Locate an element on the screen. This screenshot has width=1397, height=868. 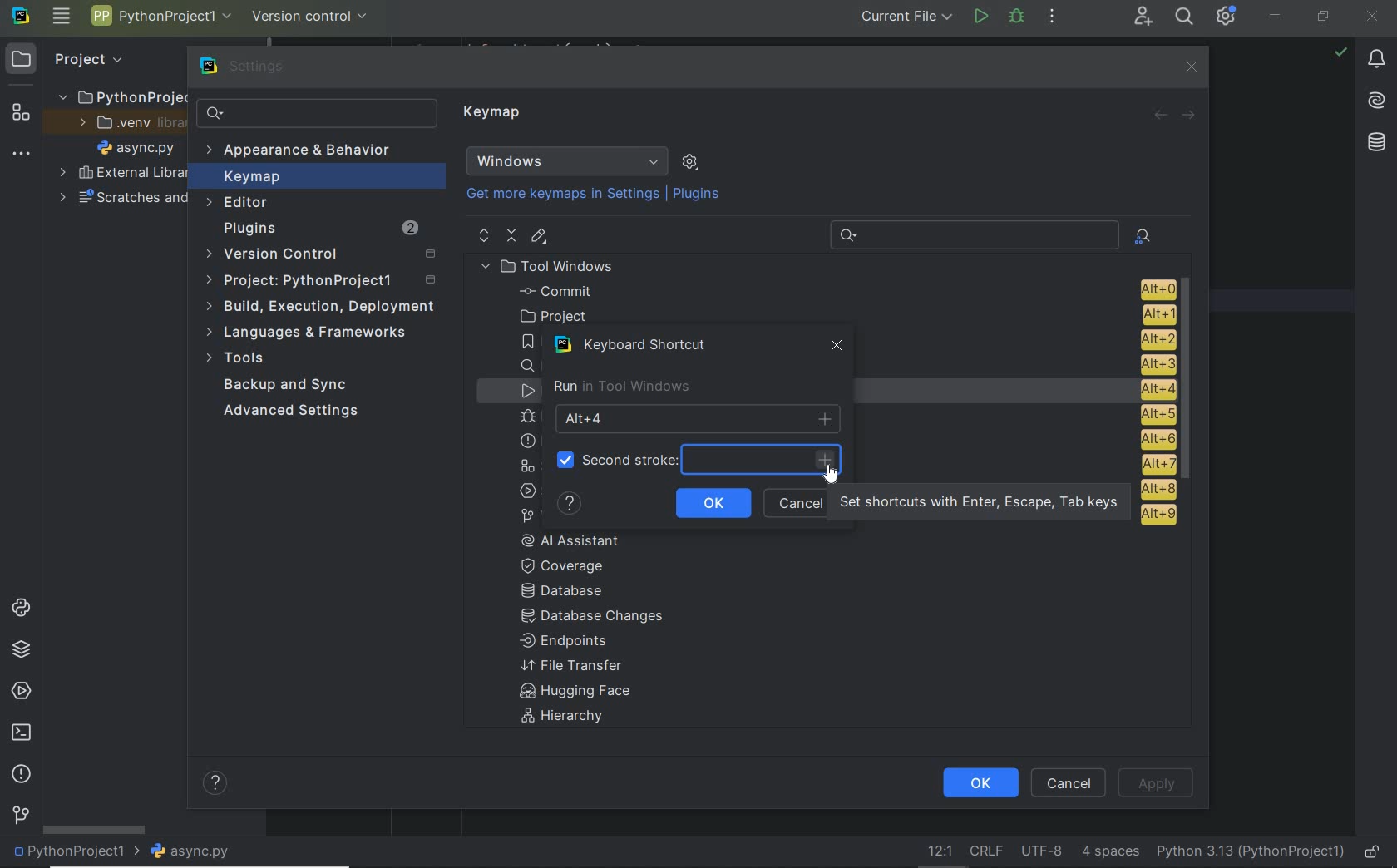
Appearance & Behavior is located at coordinates (301, 151).